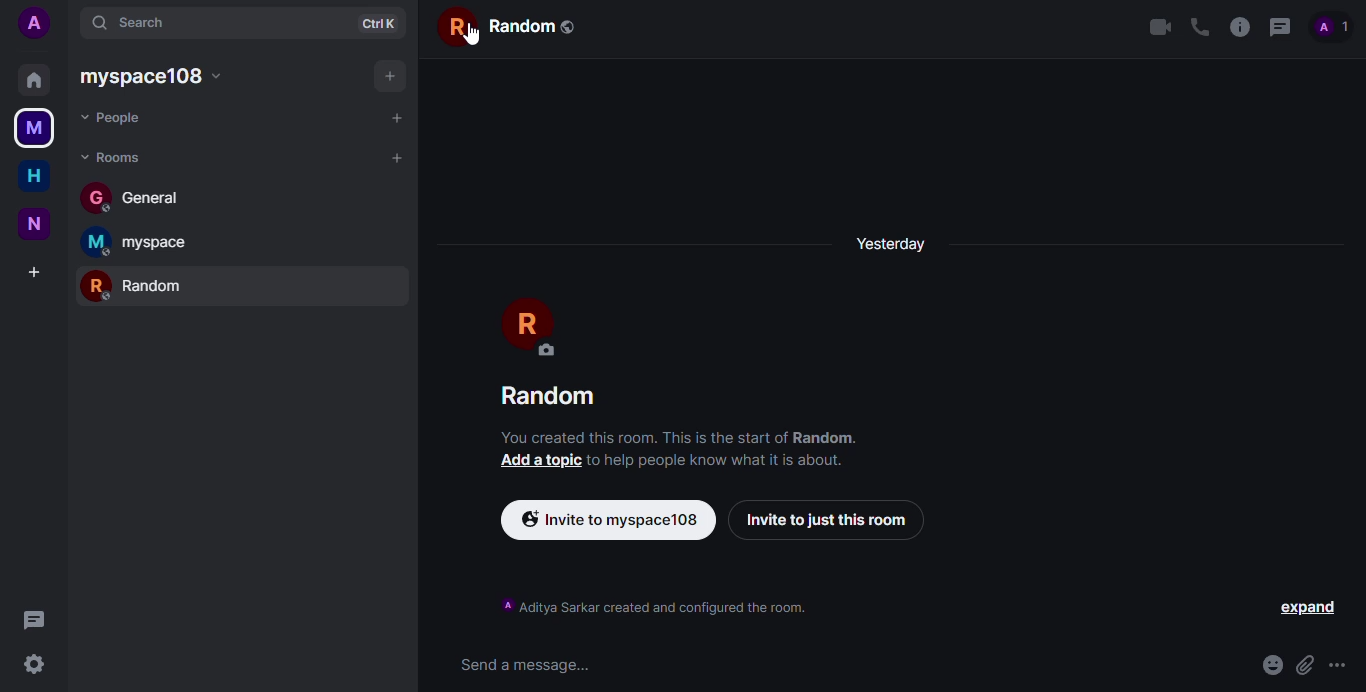 This screenshot has height=692, width=1366. Describe the element at coordinates (1198, 26) in the screenshot. I see `voice call` at that location.